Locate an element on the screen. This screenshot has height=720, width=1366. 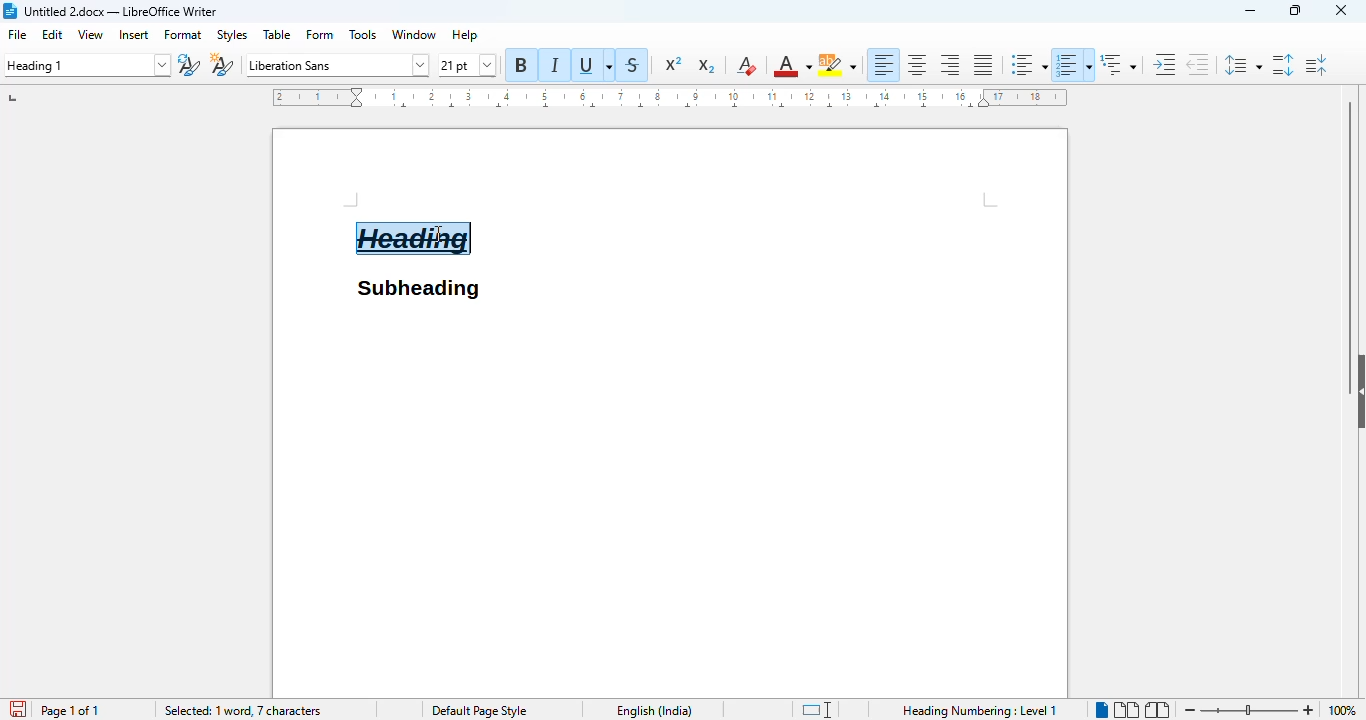
Document is located at coordinates (779, 215).